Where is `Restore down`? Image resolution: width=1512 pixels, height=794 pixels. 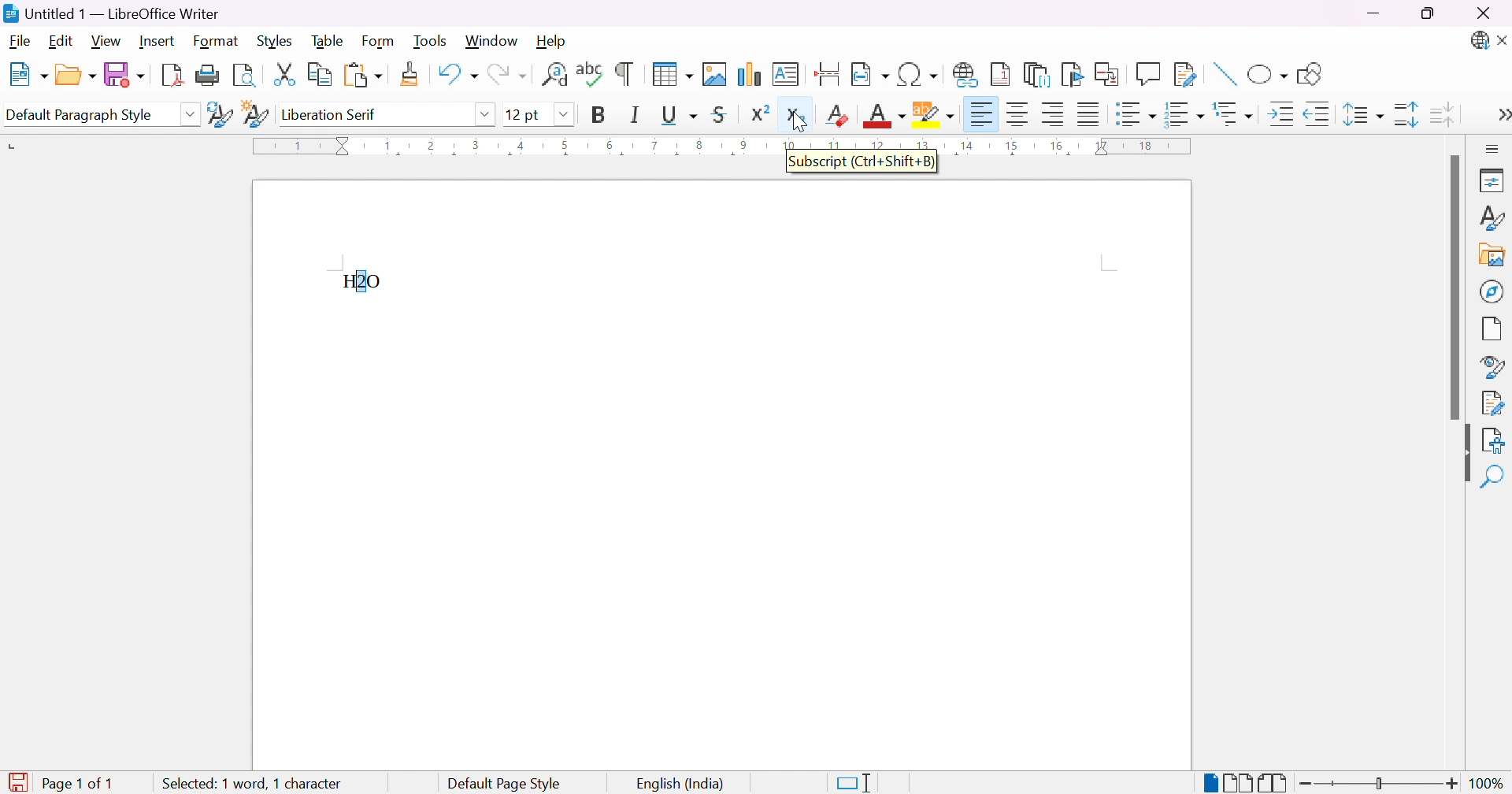
Restore down is located at coordinates (1428, 15).